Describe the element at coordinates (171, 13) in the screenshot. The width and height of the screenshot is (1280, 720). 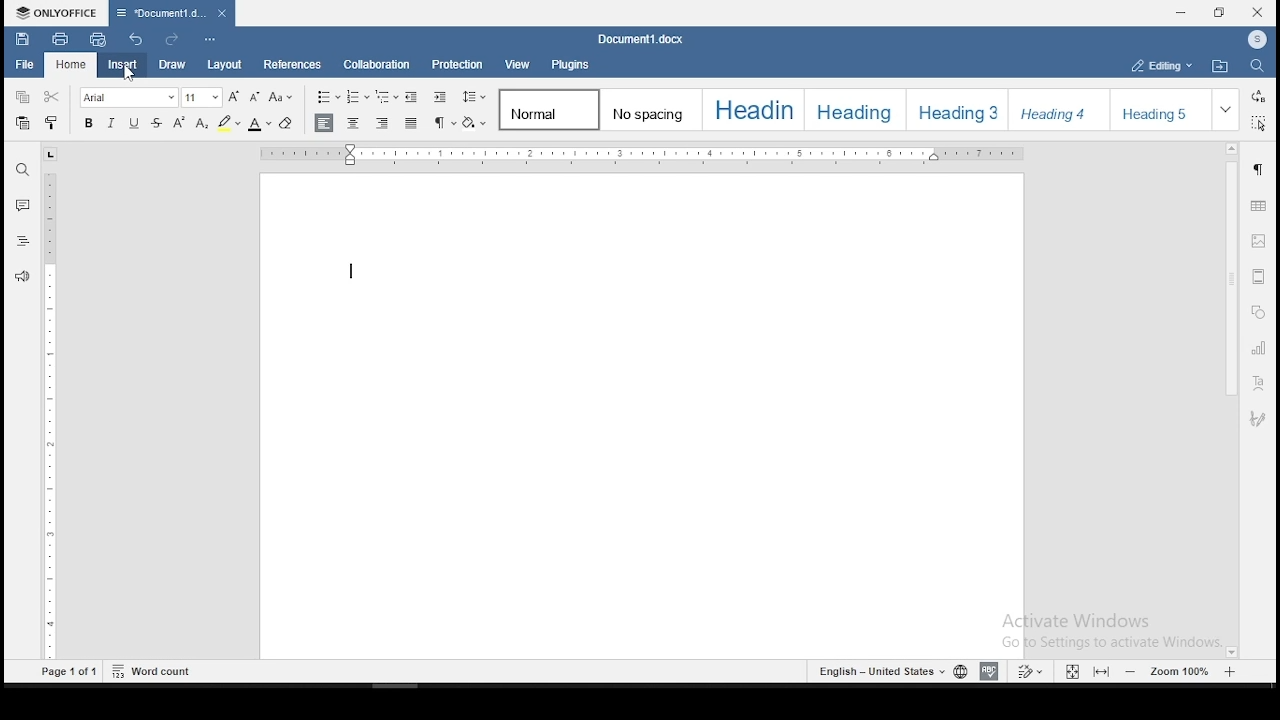
I see `Document3.docx` at that location.